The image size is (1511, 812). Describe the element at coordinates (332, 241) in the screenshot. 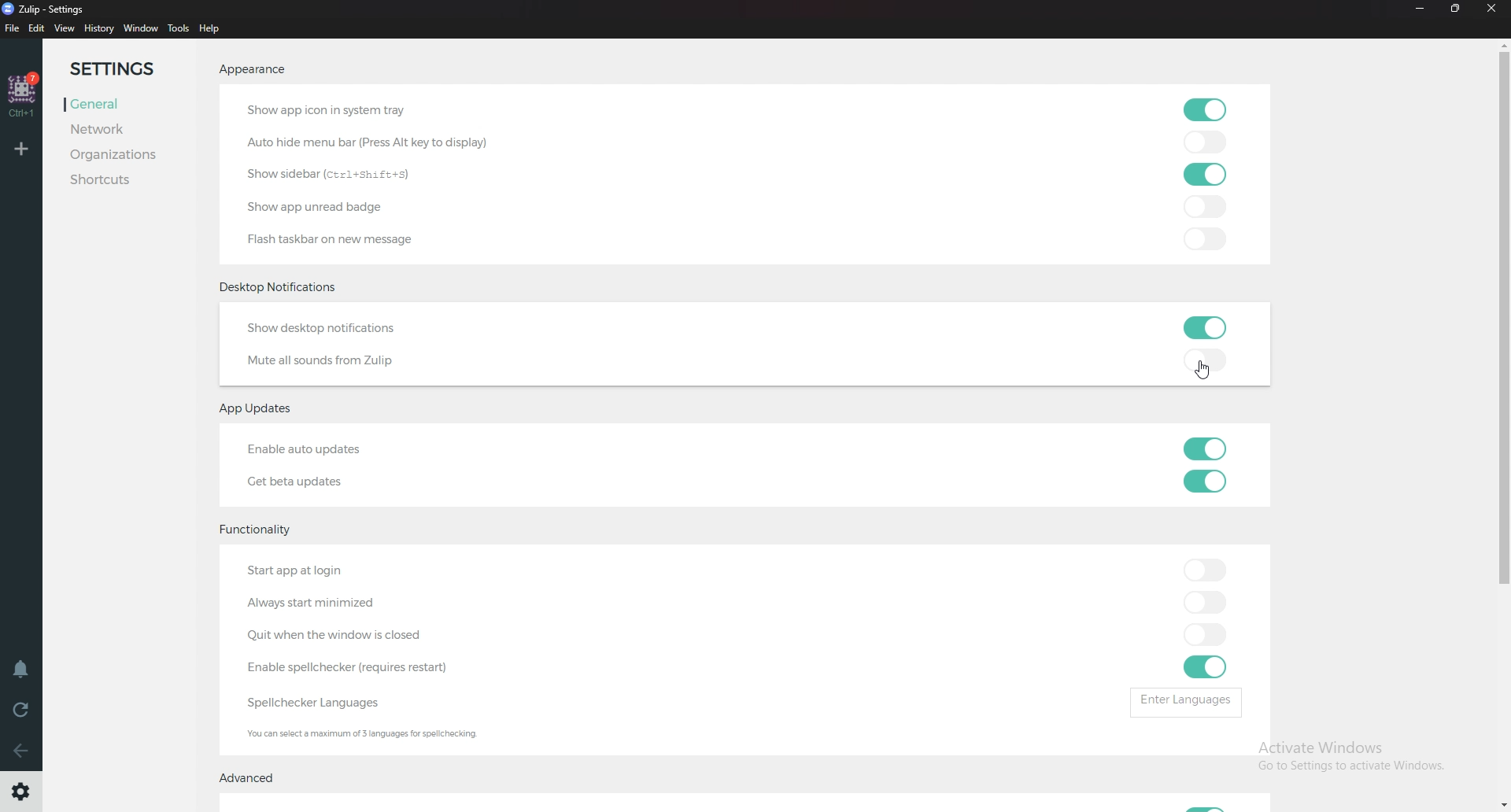

I see `Flash taskbar on new message` at that location.